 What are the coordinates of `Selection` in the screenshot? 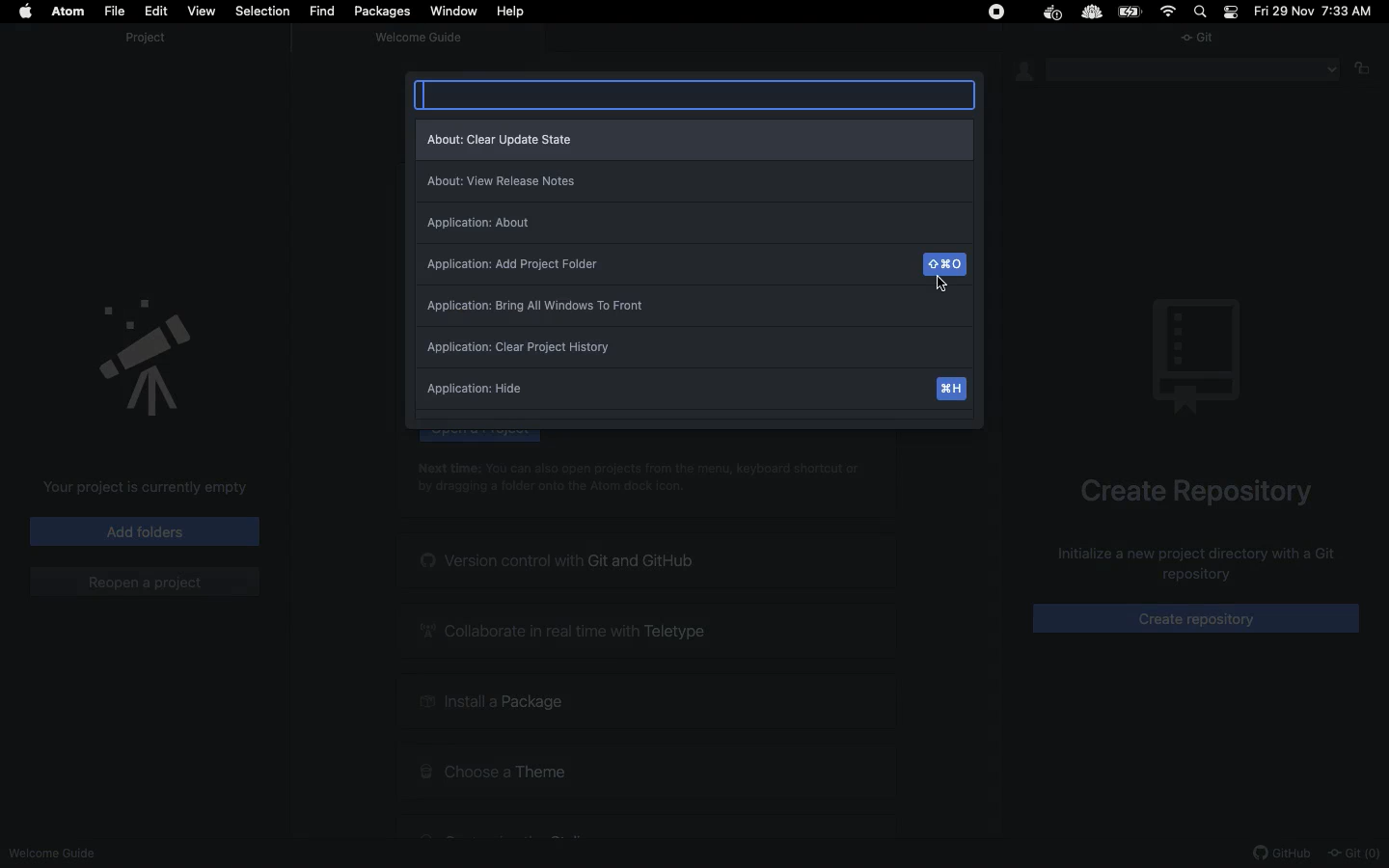 It's located at (259, 12).